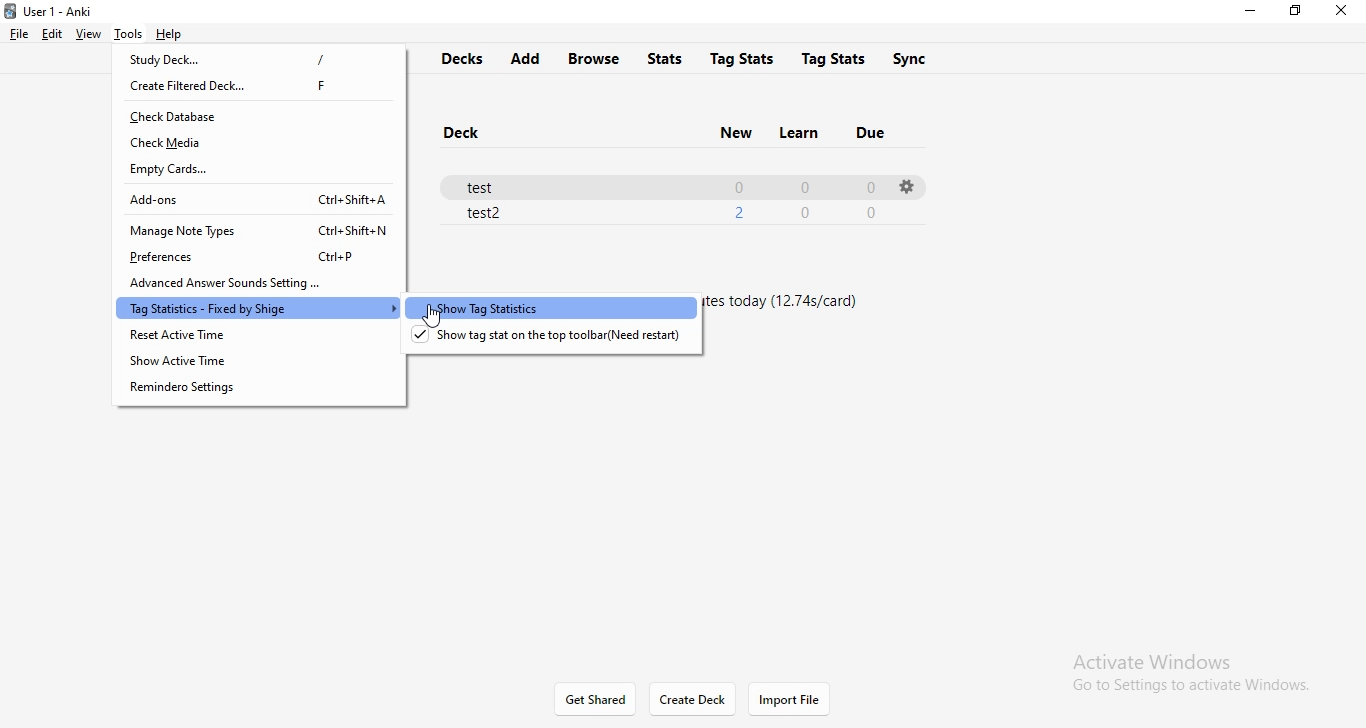 This screenshot has height=728, width=1366. What do you see at coordinates (798, 700) in the screenshot?
I see `import file` at bounding box center [798, 700].